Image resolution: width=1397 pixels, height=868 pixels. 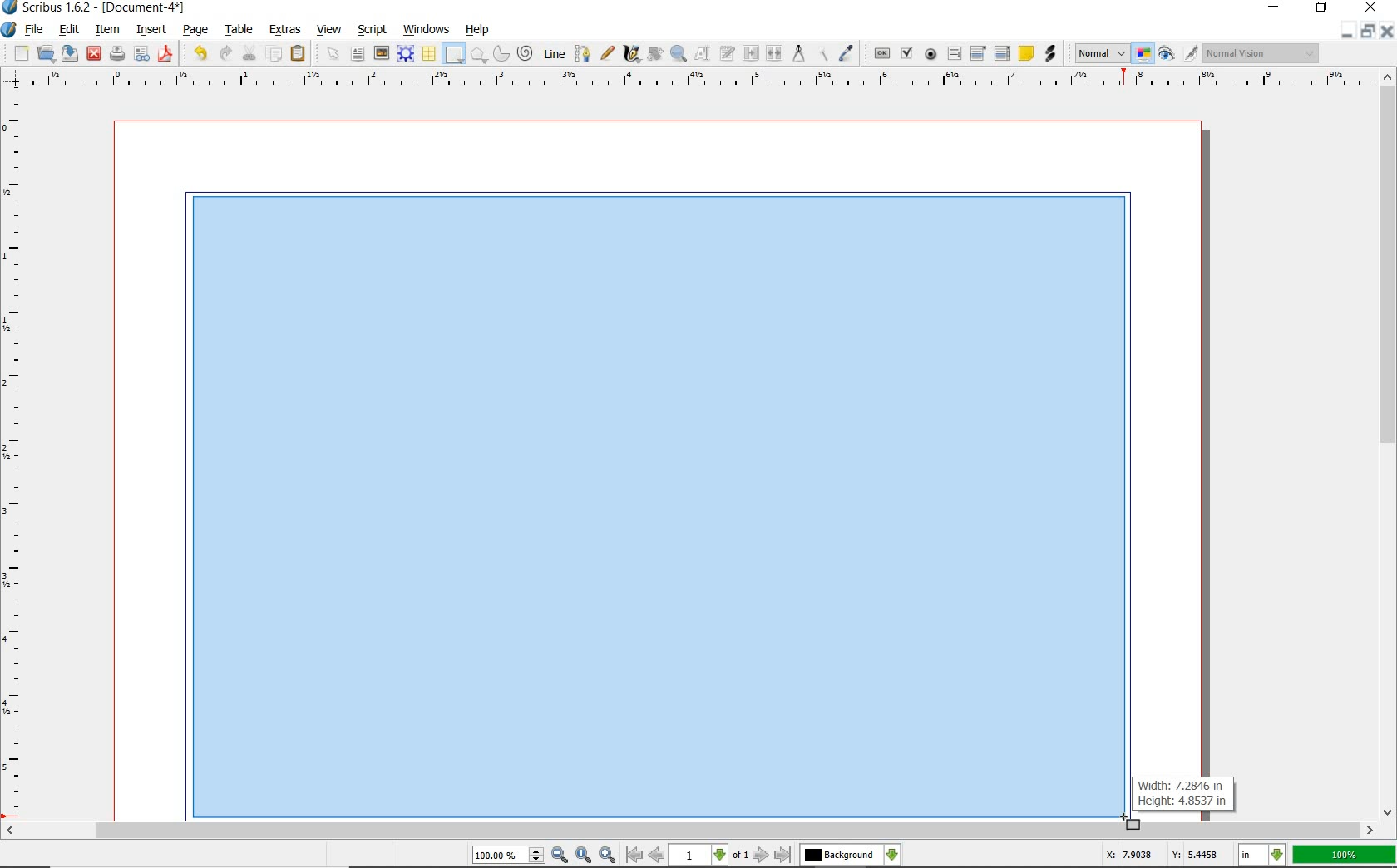 What do you see at coordinates (585, 855) in the screenshot?
I see `zoom to 100%` at bounding box center [585, 855].